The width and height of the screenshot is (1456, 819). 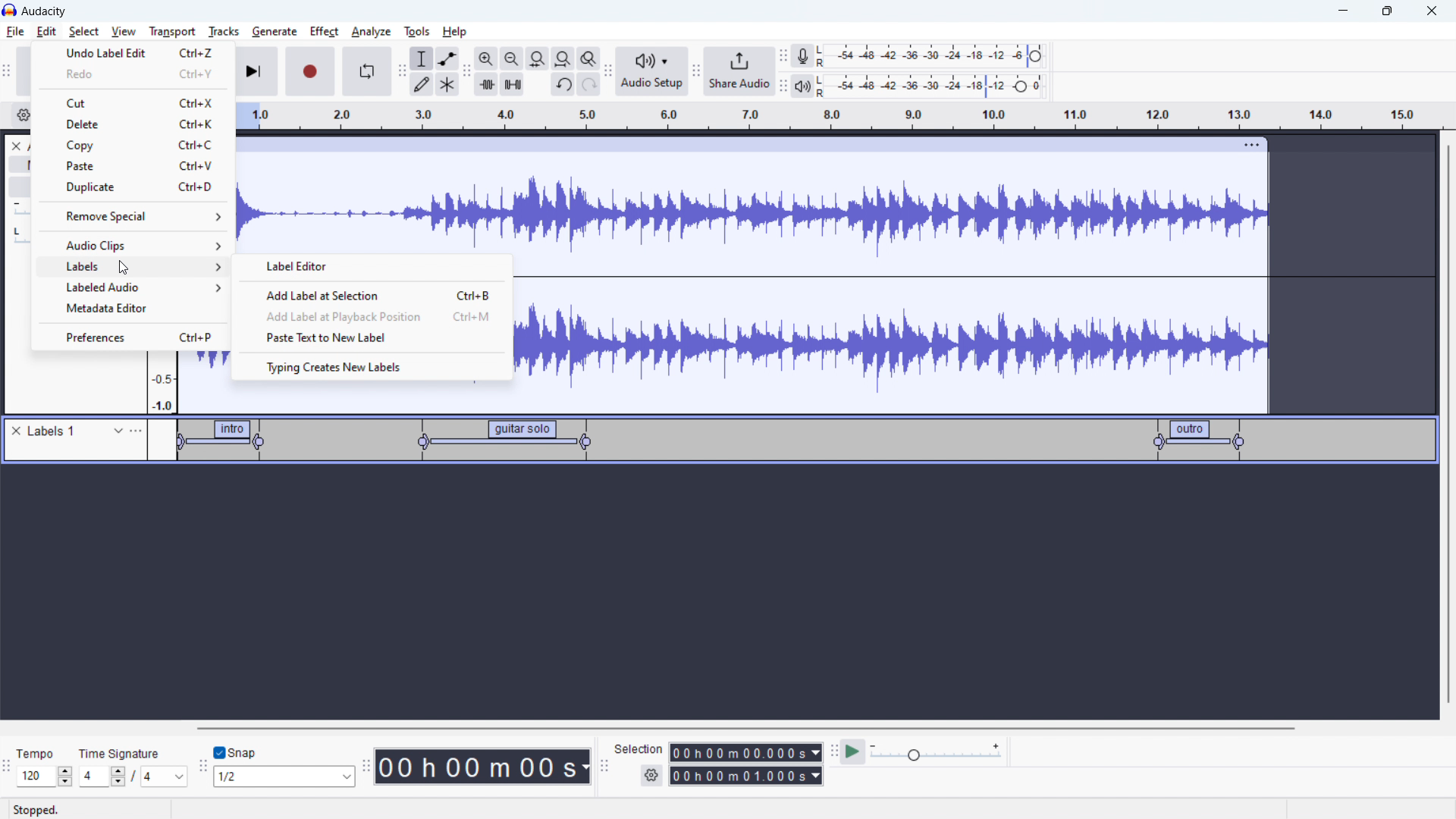 What do you see at coordinates (833, 753) in the screenshot?
I see `play at speed toolbar` at bounding box center [833, 753].